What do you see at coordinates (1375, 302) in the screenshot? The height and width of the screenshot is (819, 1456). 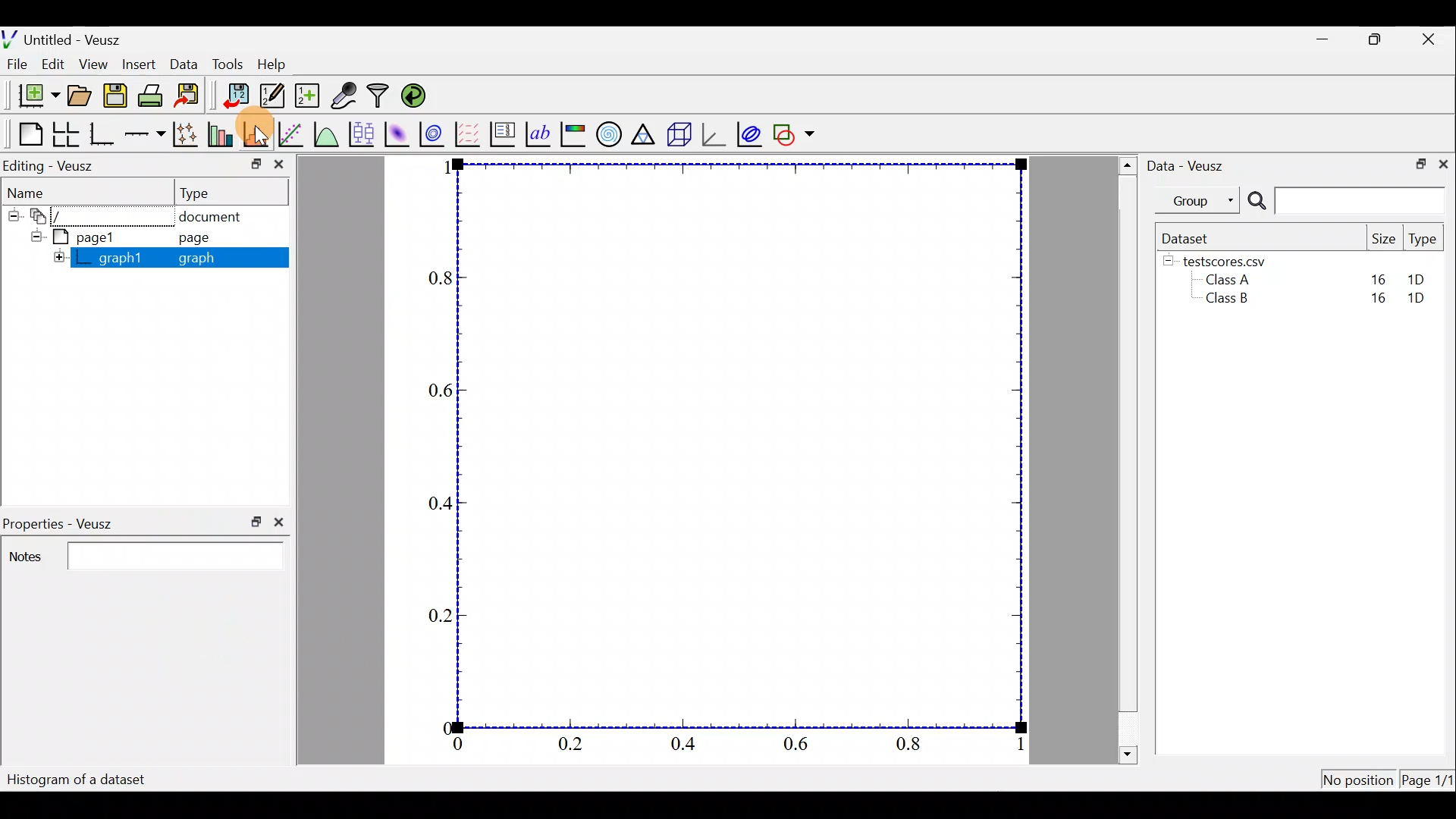 I see `16` at bounding box center [1375, 302].